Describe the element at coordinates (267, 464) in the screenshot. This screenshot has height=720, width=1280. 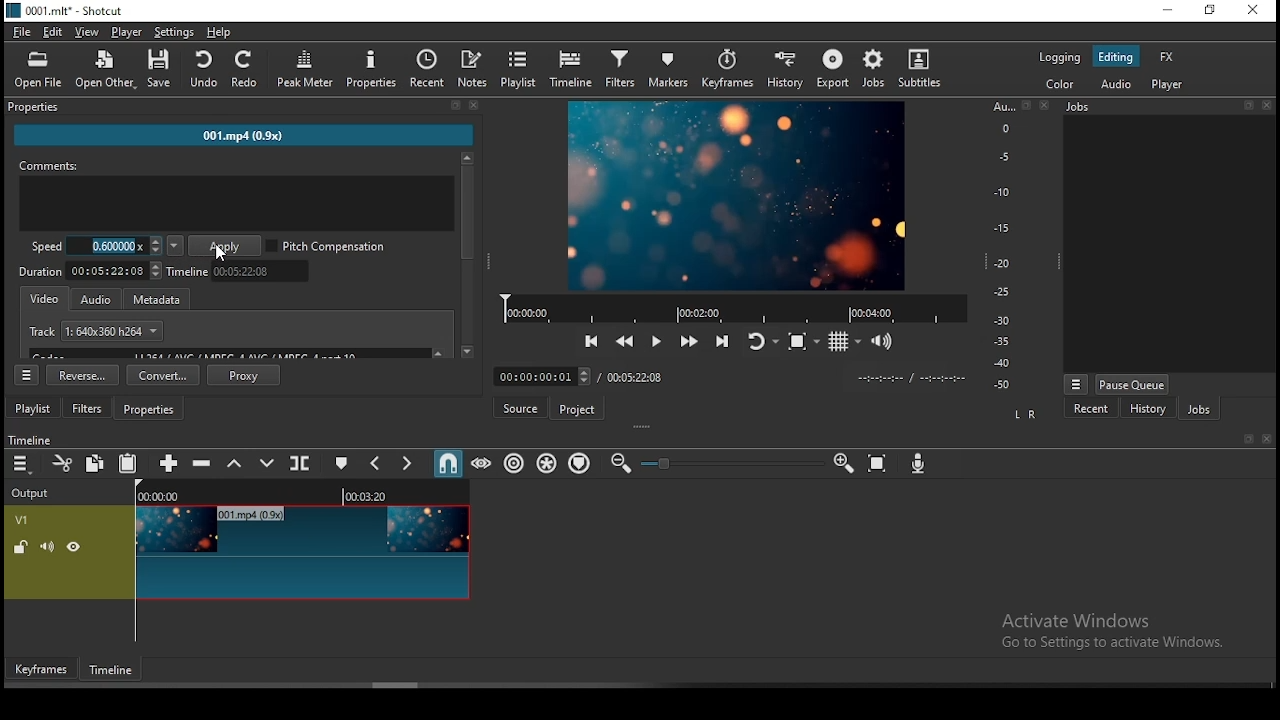
I see `overwrite` at that location.